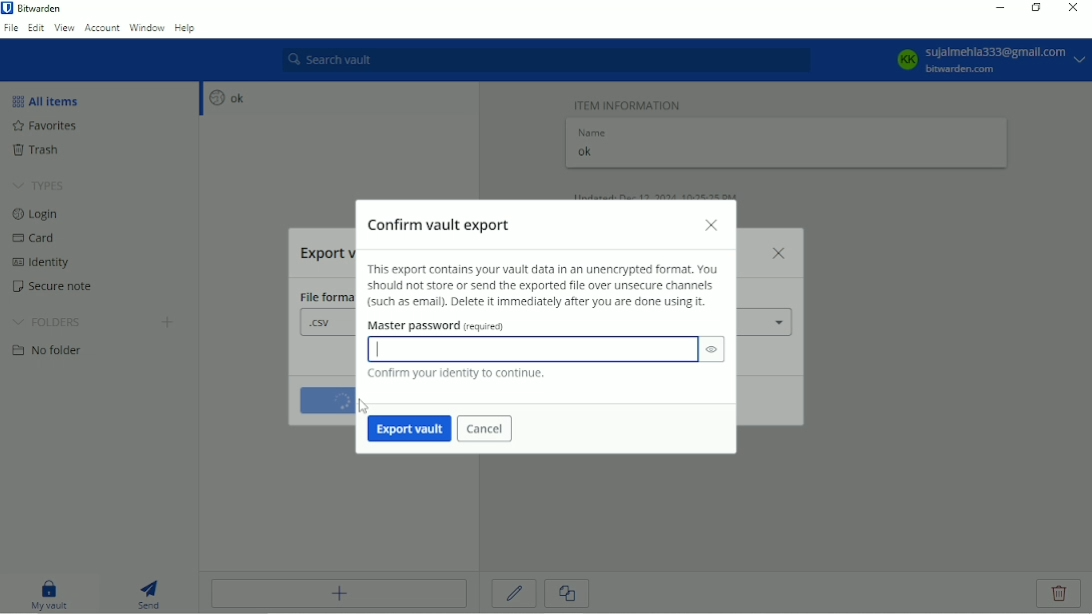 Image resolution: width=1092 pixels, height=614 pixels. What do you see at coordinates (593, 145) in the screenshot?
I see `Name ok` at bounding box center [593, 145].